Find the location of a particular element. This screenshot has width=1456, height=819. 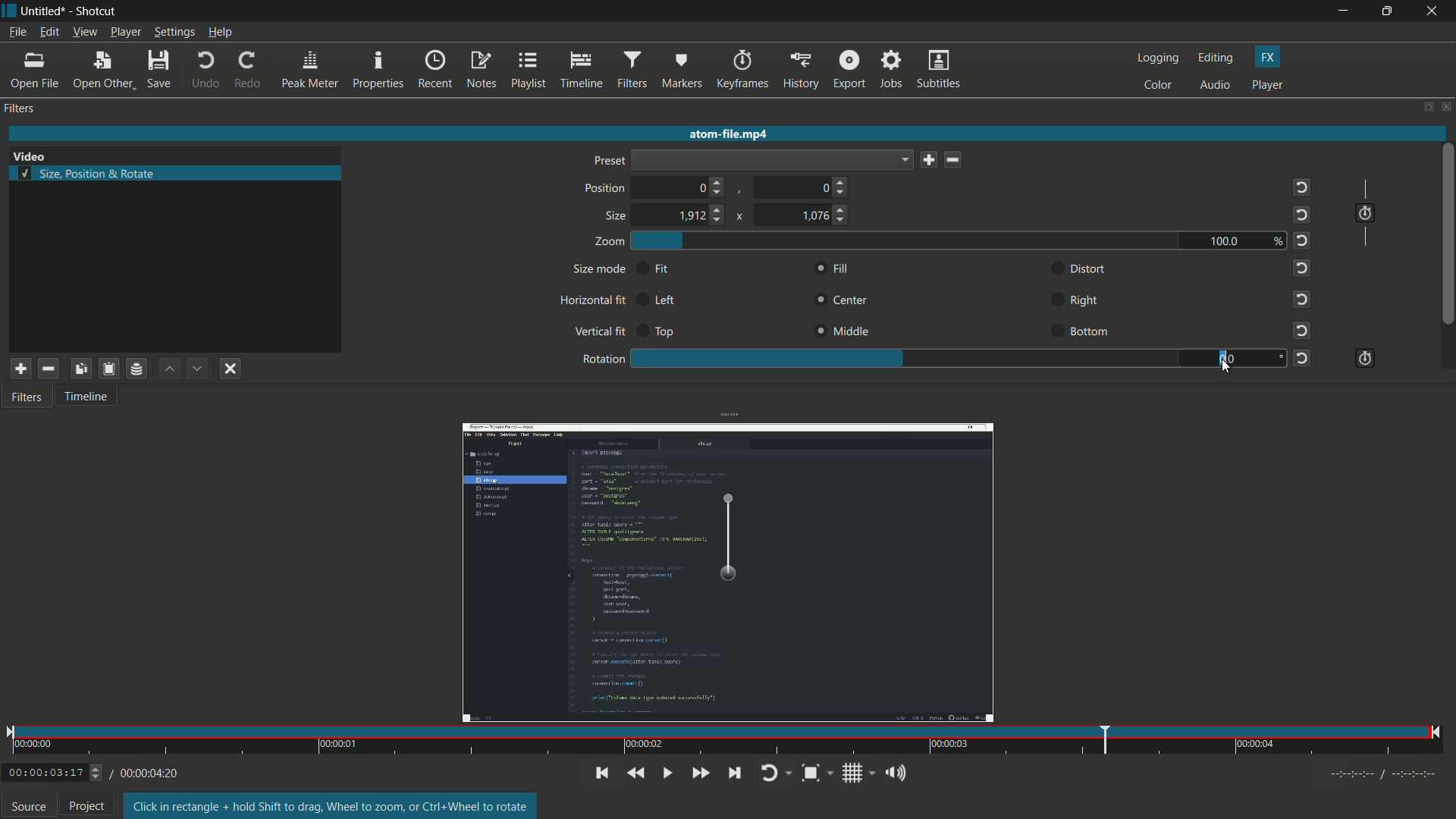

top is located at coordinates (663, 334).